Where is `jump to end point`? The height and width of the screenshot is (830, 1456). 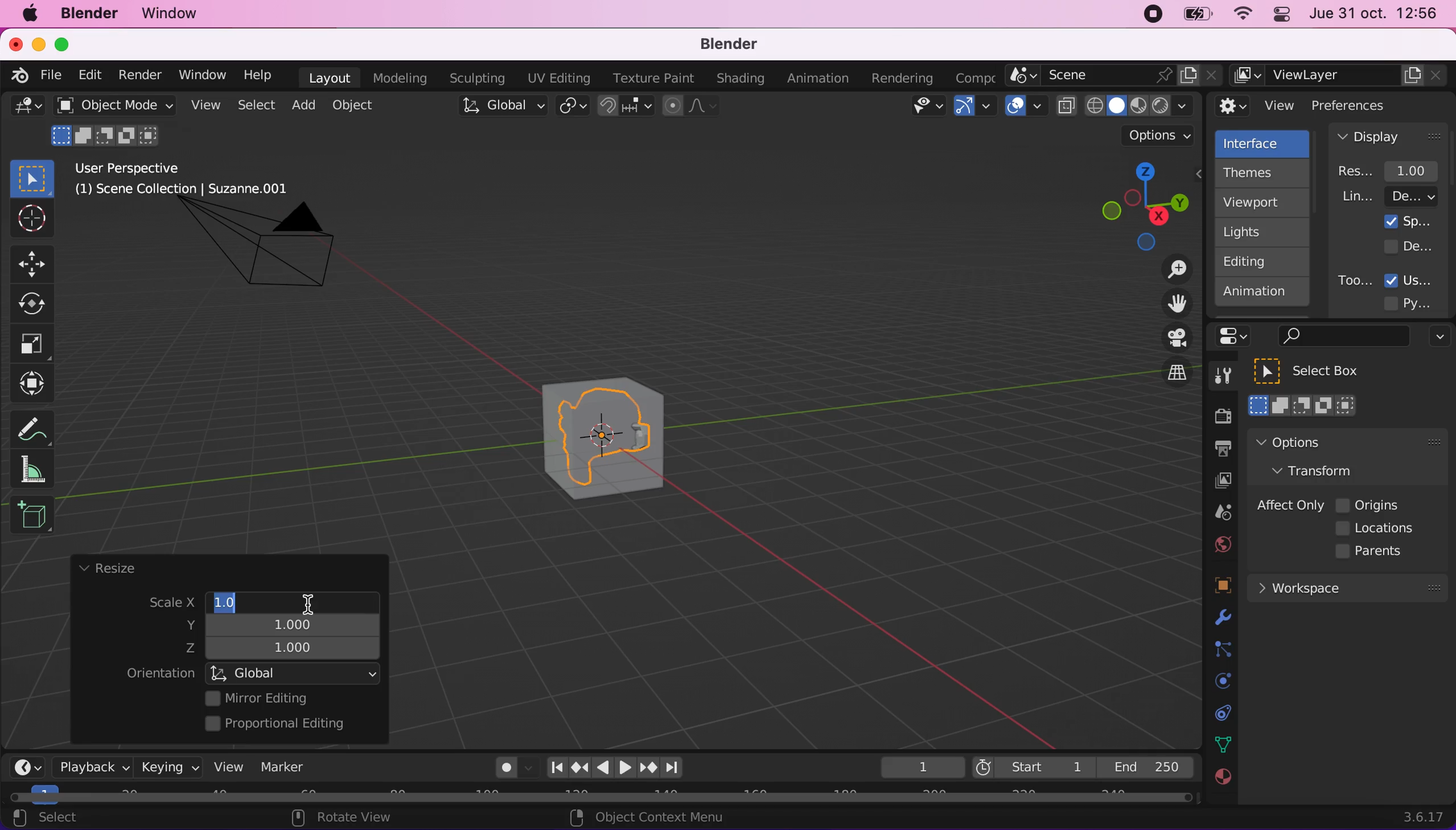
jump to end point is located at coordinates (553, 768).